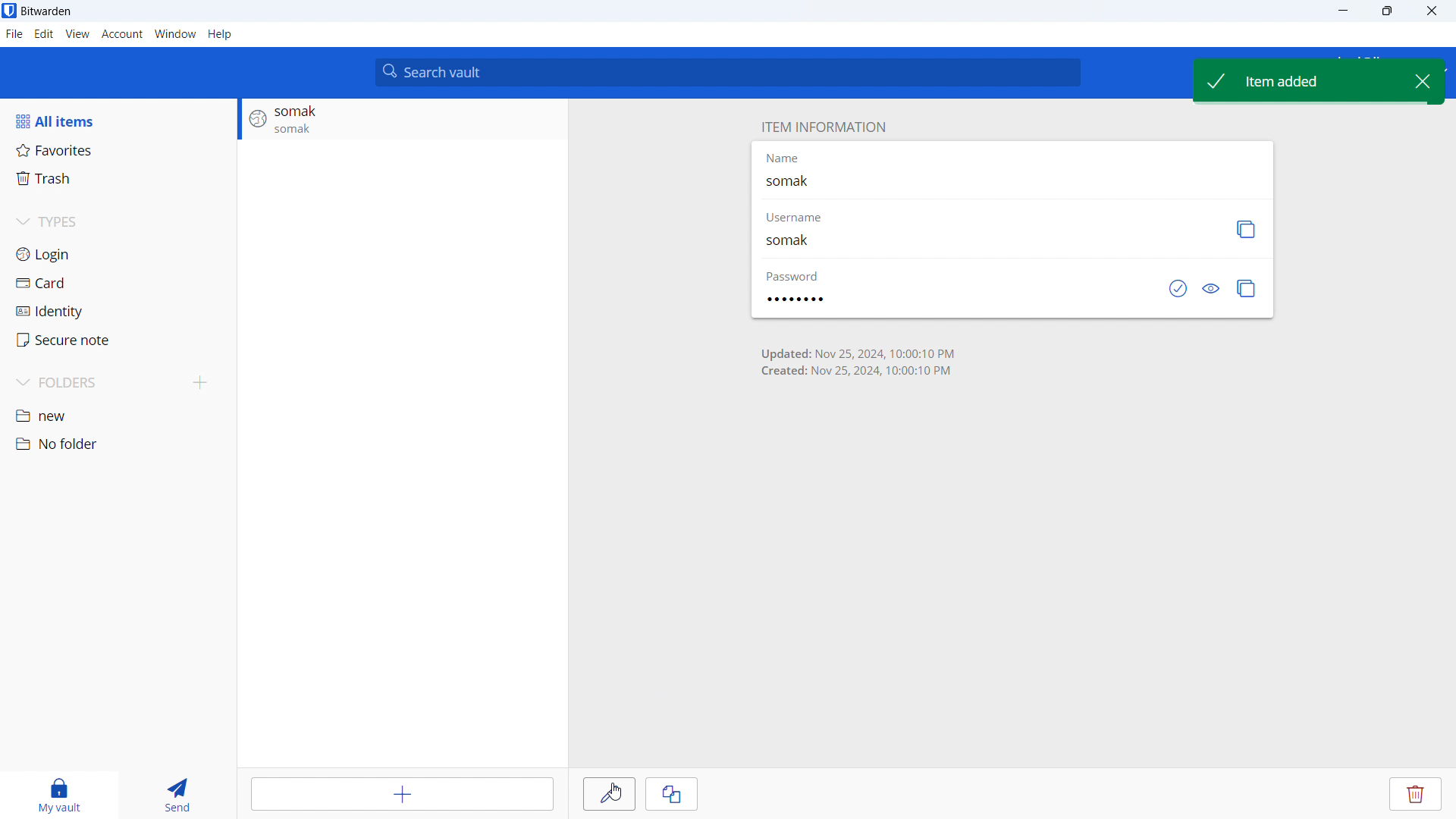 The height and width of the screenshot is (819, 1456). I want to click on toggle visibility, so click(1209, 291).